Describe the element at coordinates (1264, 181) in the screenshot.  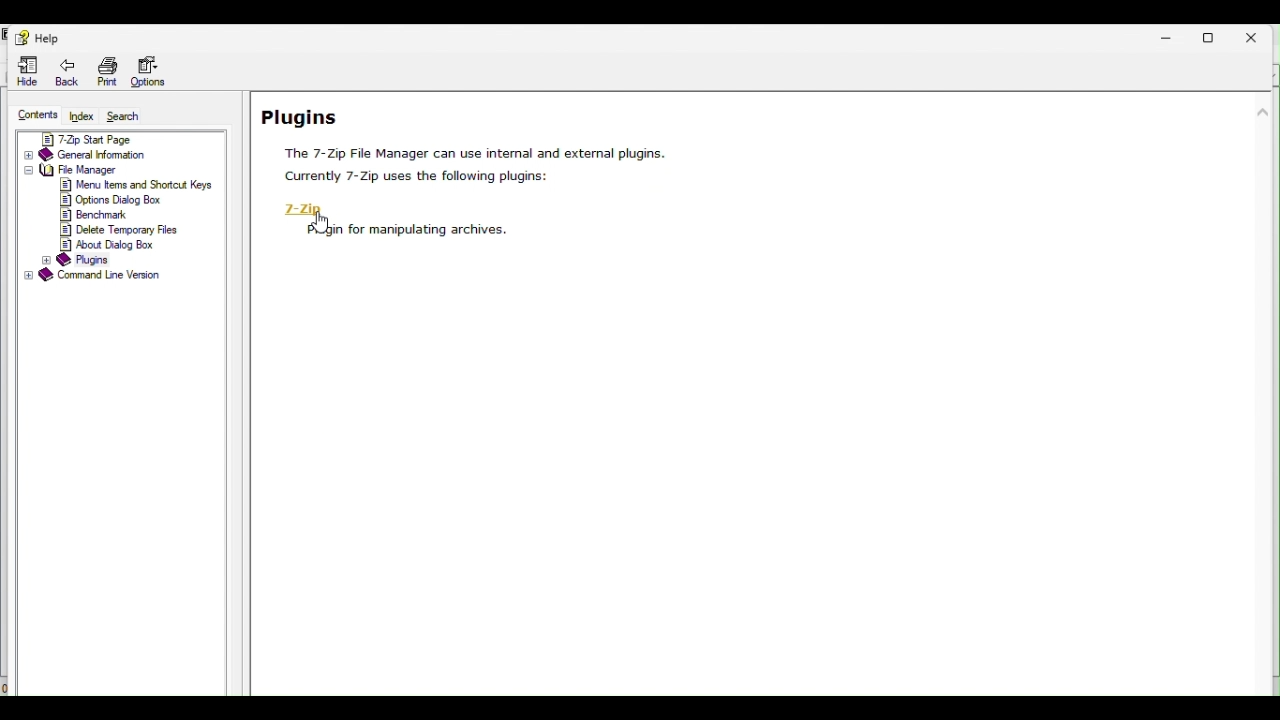
I see `scroll bar` at that location.